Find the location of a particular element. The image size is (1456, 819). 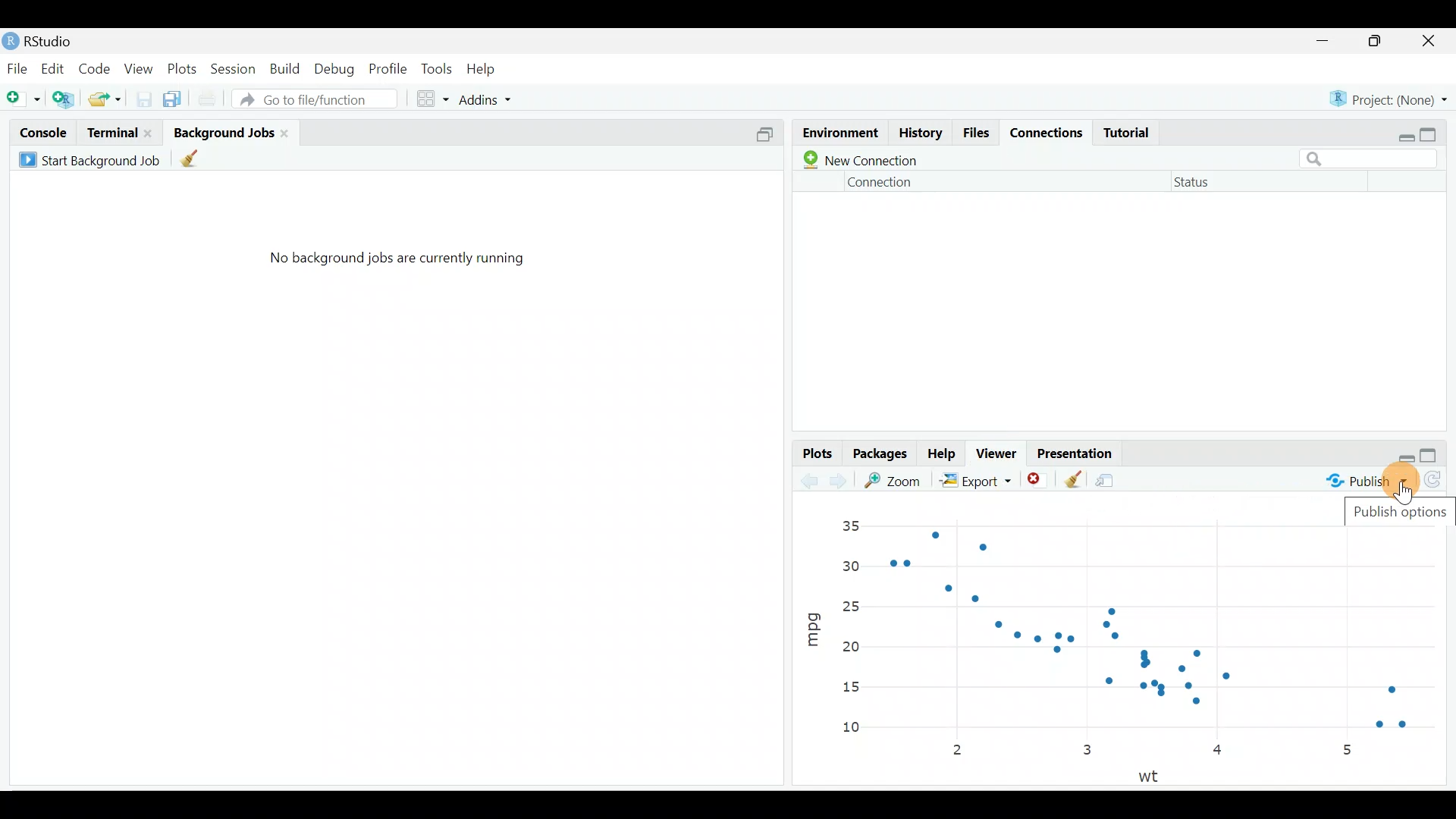

open an existing file is located at coordinates (106, 96).